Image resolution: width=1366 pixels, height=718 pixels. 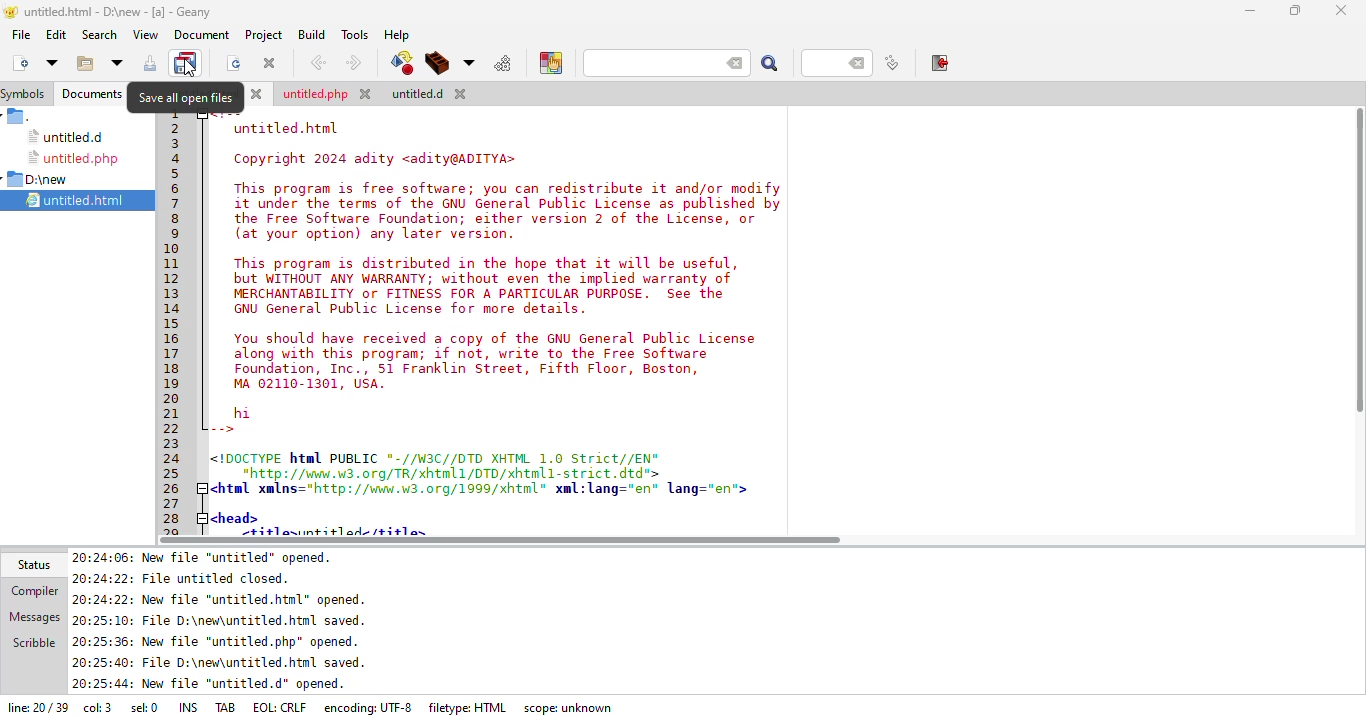 What do you see at coordinates (649, 62) in the screenshot?
I see `search` at bounding box center [649, 62].